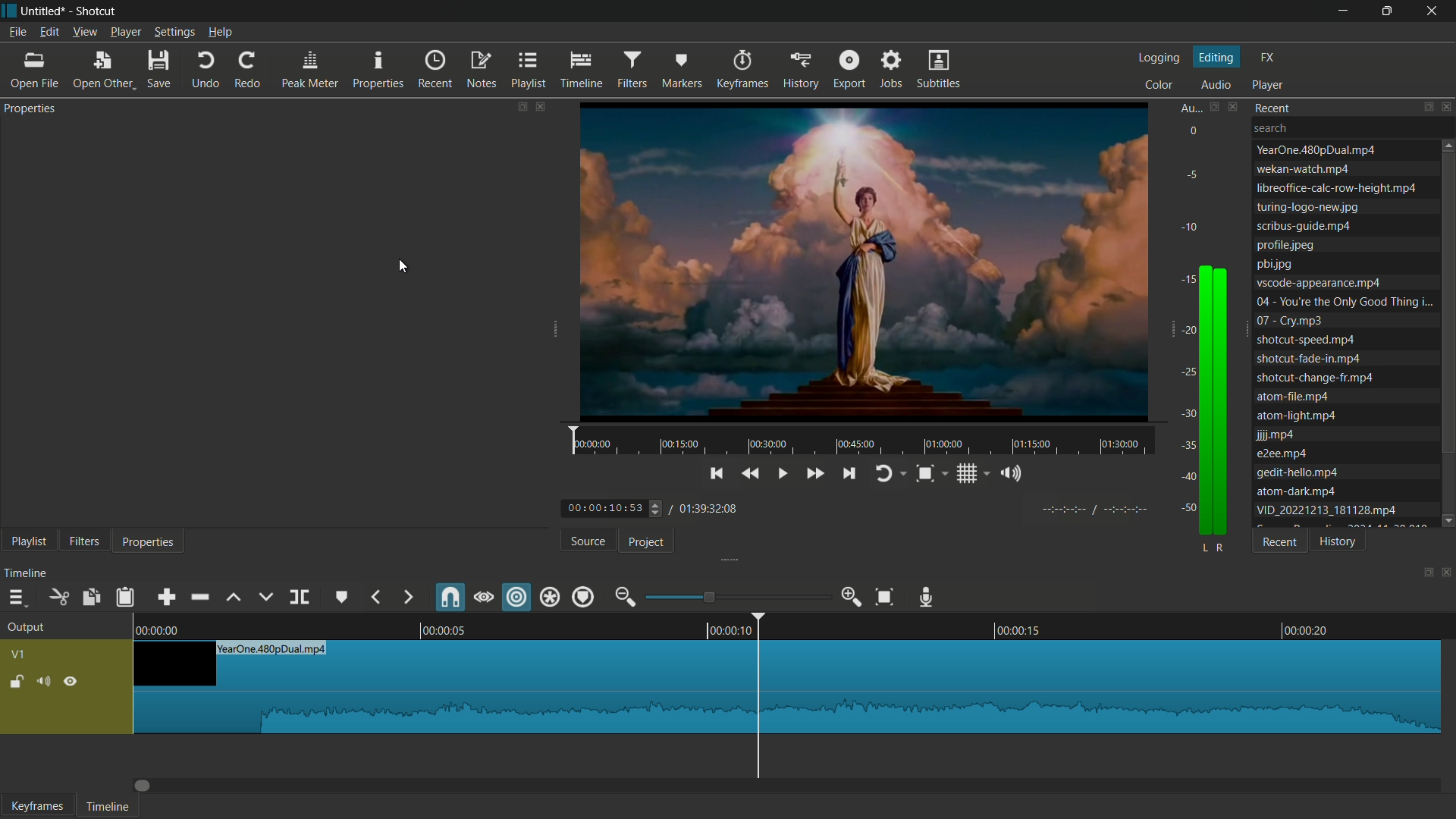 The image size is (1456, 819). What do you see at coordinates (1354, 127) in the screenshot?
I see `search bar` at bounding box center [1354, 127].